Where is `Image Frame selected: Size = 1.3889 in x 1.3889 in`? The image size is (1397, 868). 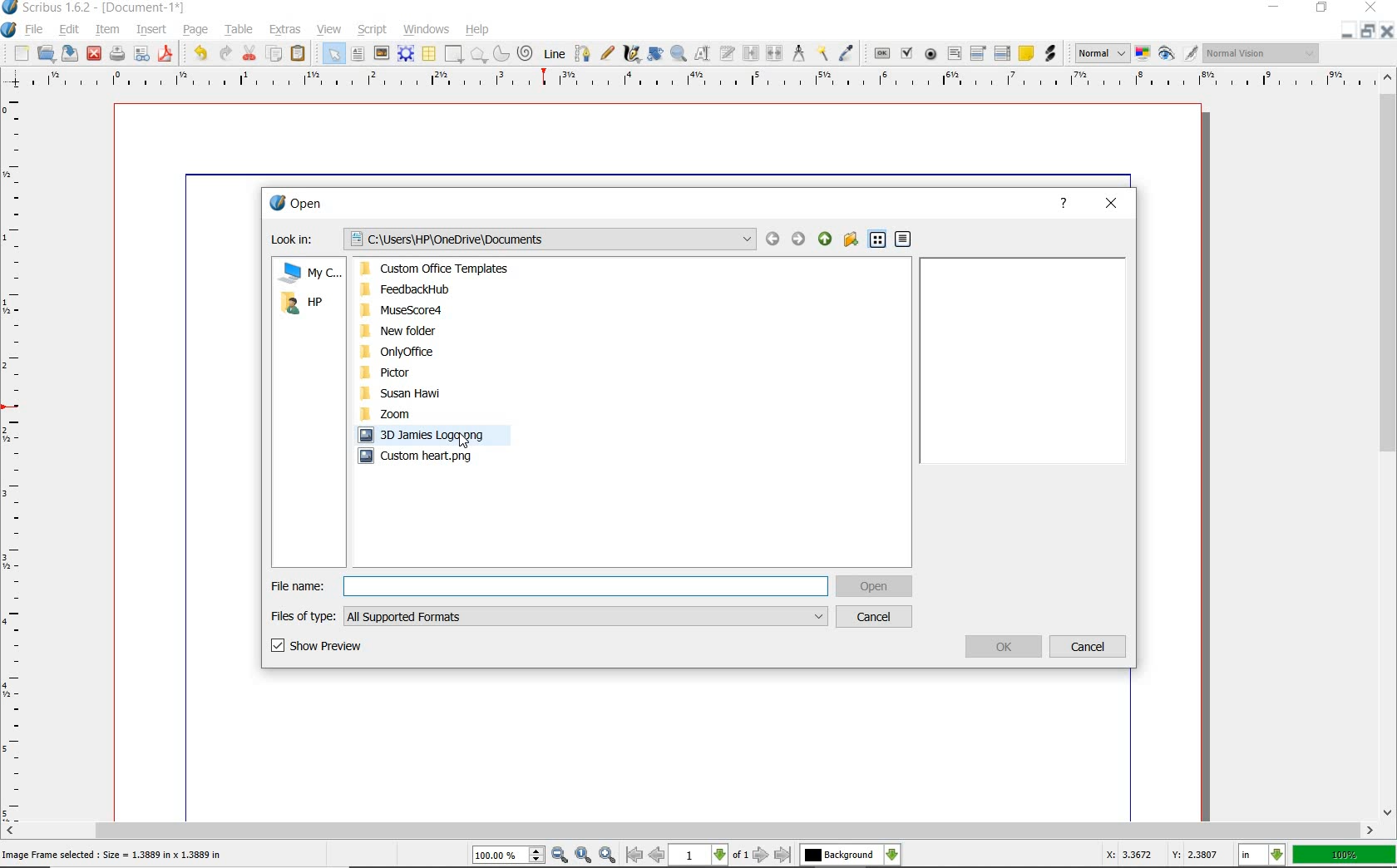
Image Frame selected: Size = 1.3889 in x 1.3889 in is located at coordinates (113, 854).